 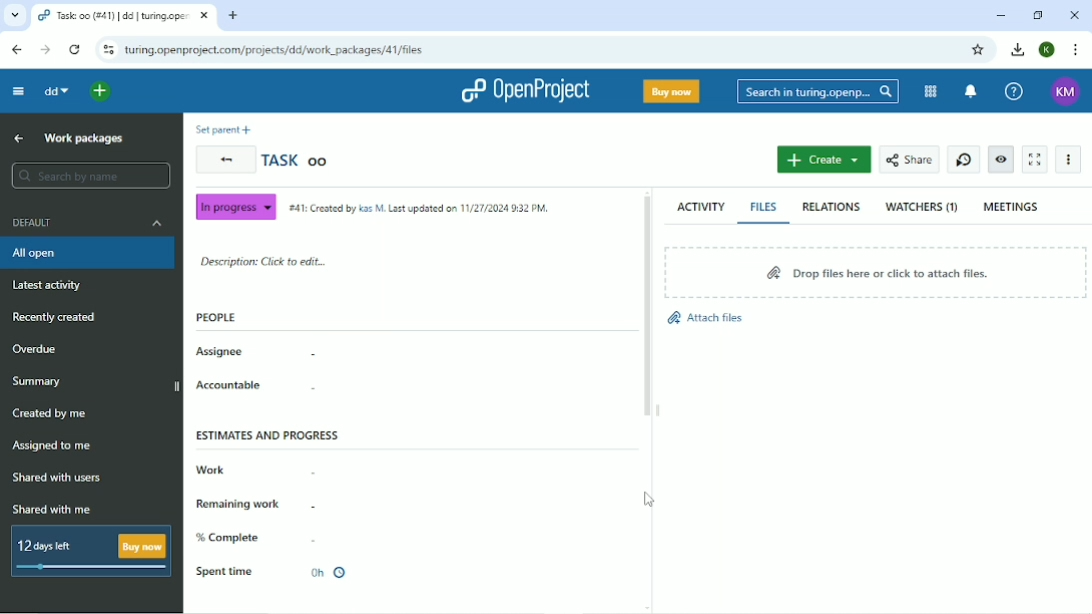 What do you see at coordinates (240, 501) in the screenshot?
I see `Remaining work` at bounding box center [240, 501].